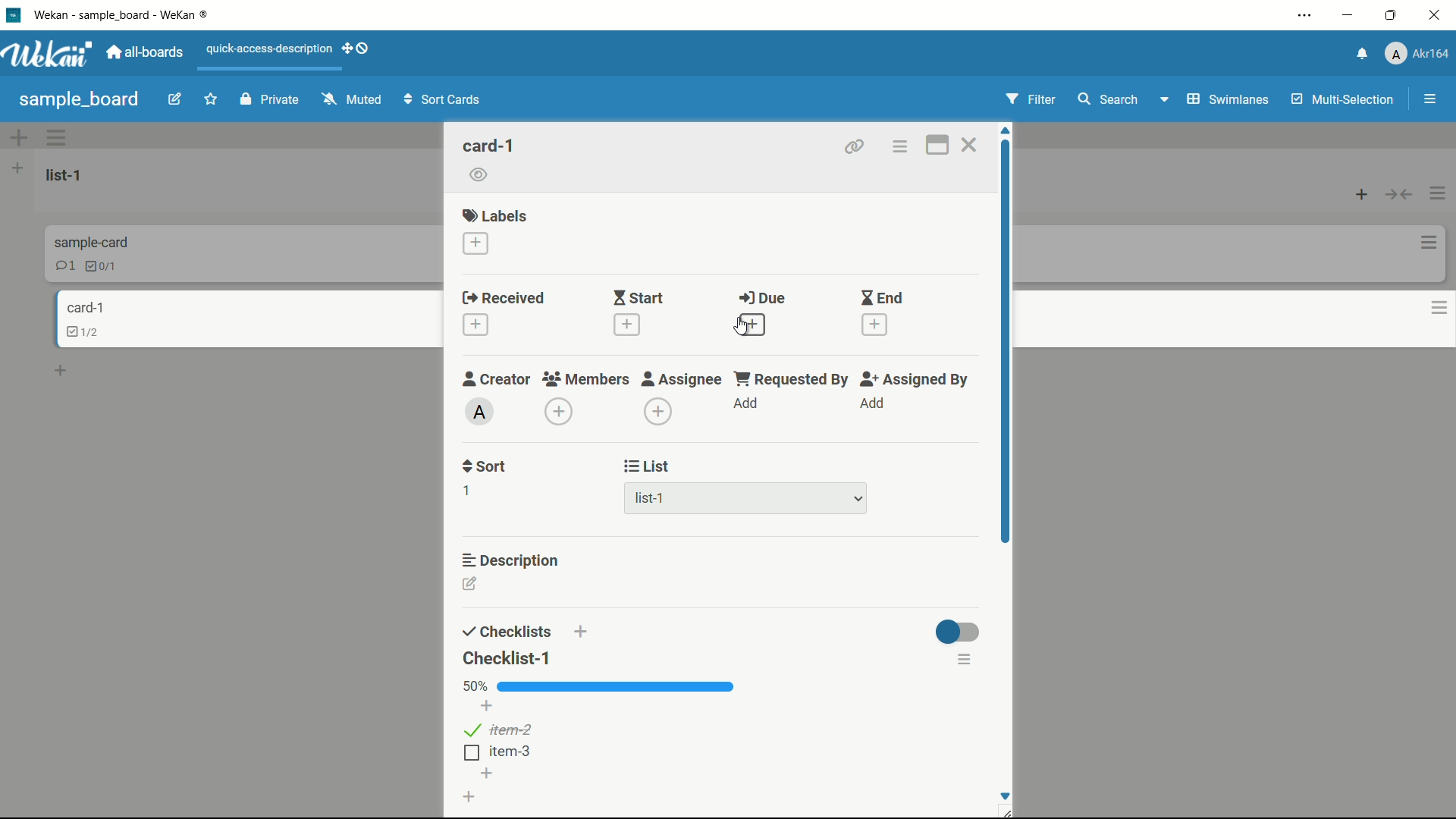  Describe the element at coordinates (479, 411) in the screenshot. I see `admin` at that location.